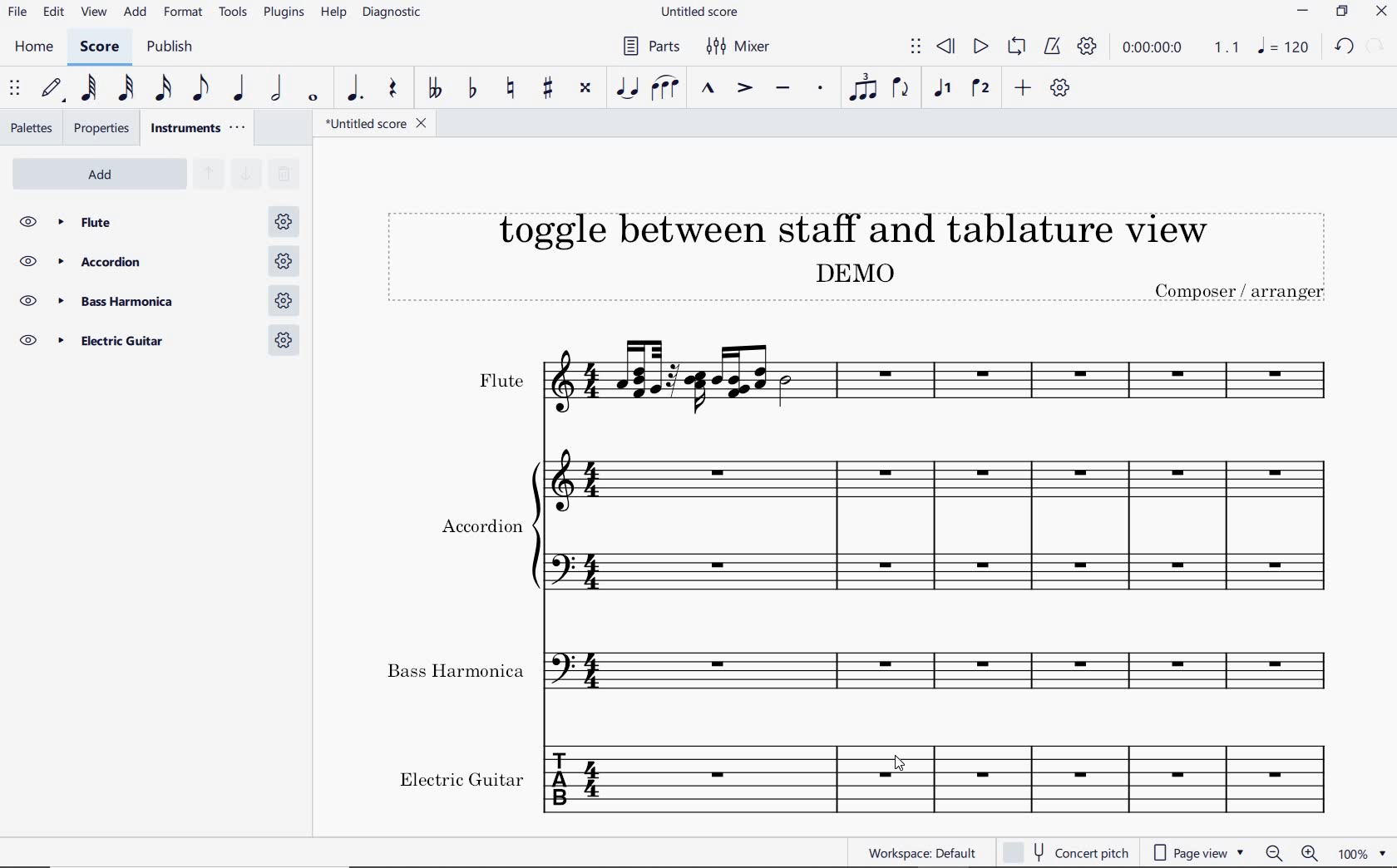 The height and width of the screenshot is (868, 1397). Describe the element at coordinates (625, 87) in the screenshot. I see `tie` at that location.